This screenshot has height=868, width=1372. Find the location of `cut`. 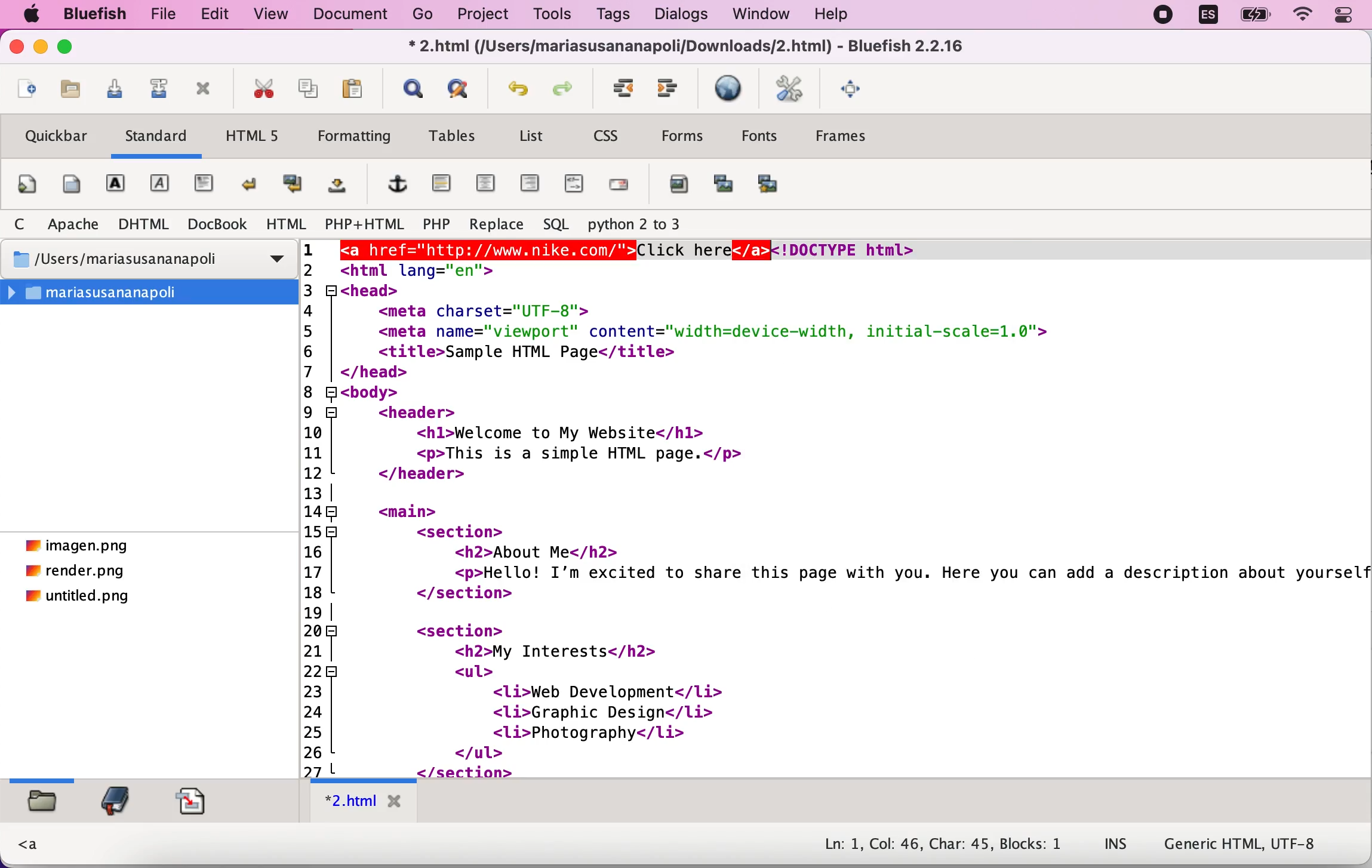

cut is located at coordinates (260, 87).